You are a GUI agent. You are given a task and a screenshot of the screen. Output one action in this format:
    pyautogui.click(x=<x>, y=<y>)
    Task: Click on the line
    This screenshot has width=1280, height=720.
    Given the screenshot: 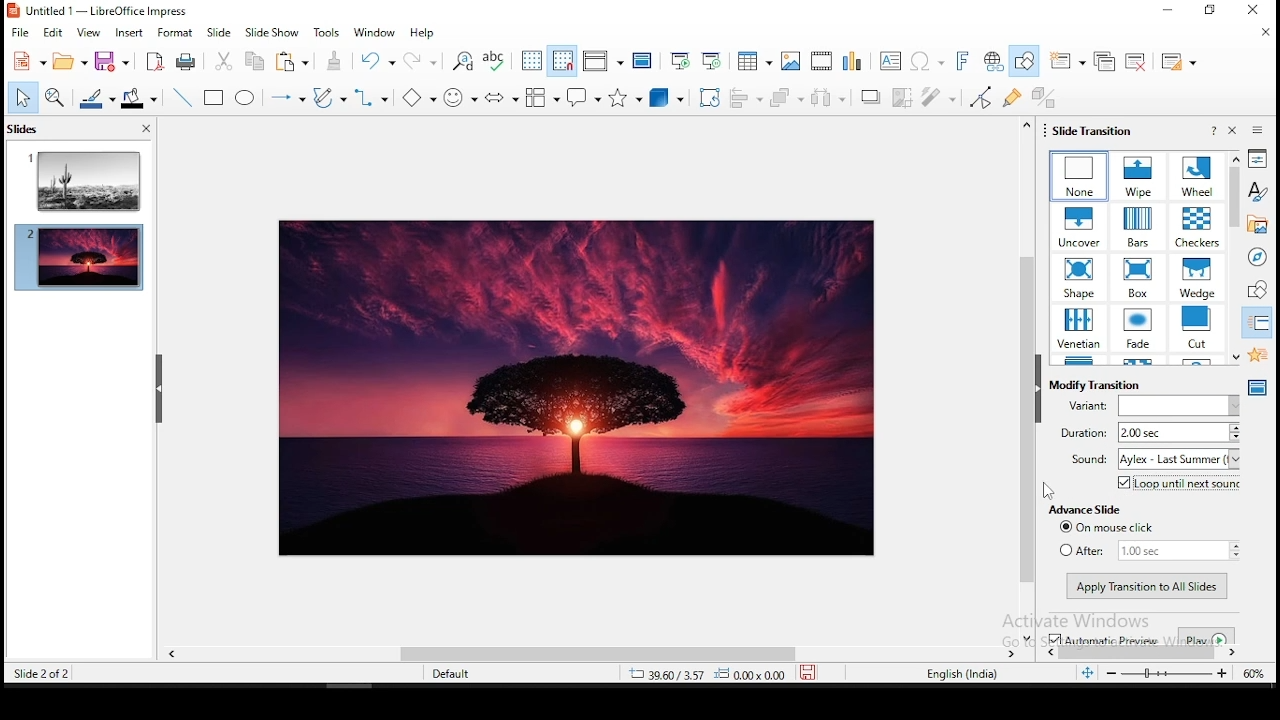 What is the action you would take?
    pyautogui.click(x=182, y=97)
    